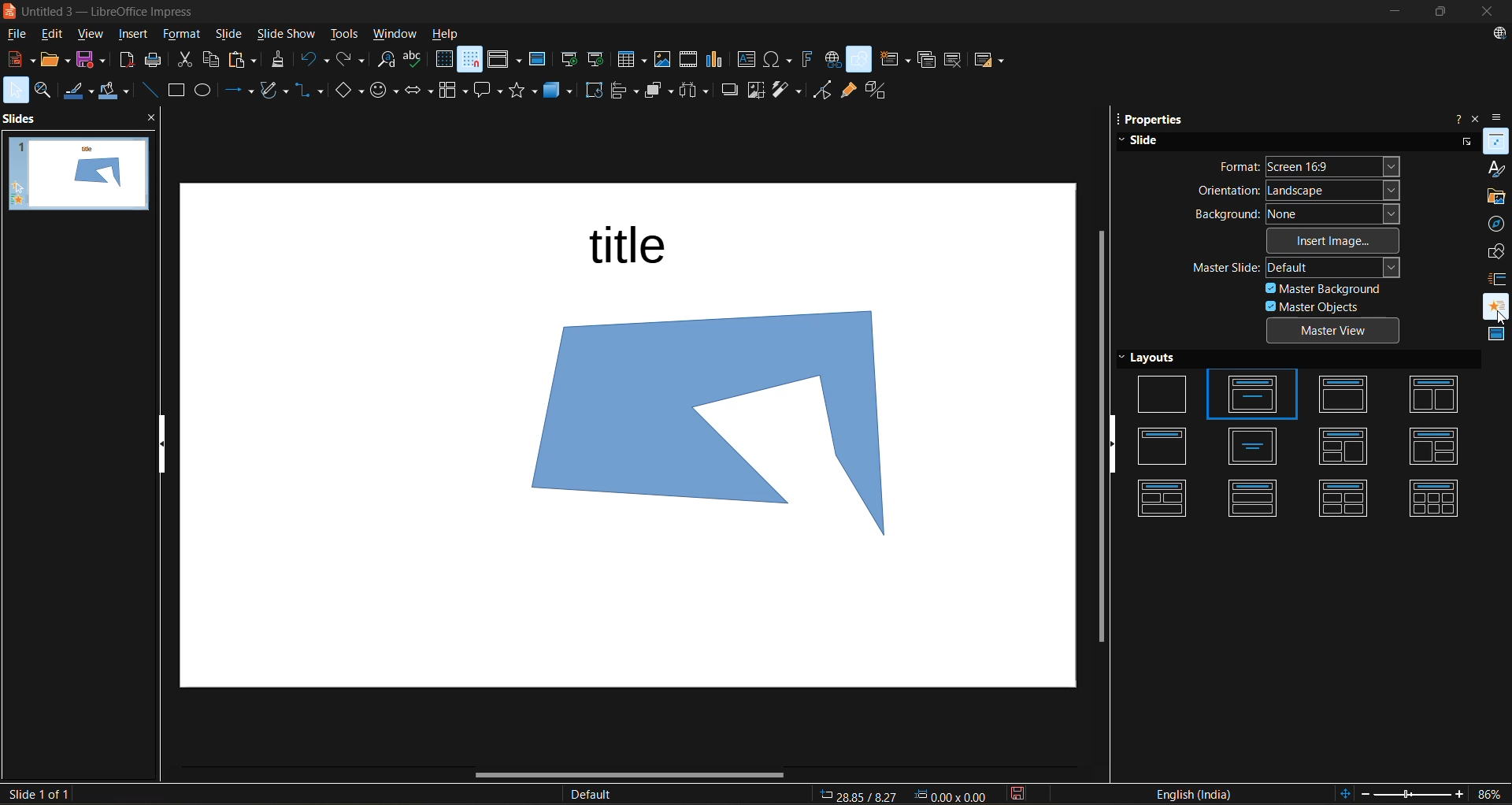  What do you see at coordinates (567, 59) in the screenshot?
I see `start from first slide` at bounding box center [567, 59].